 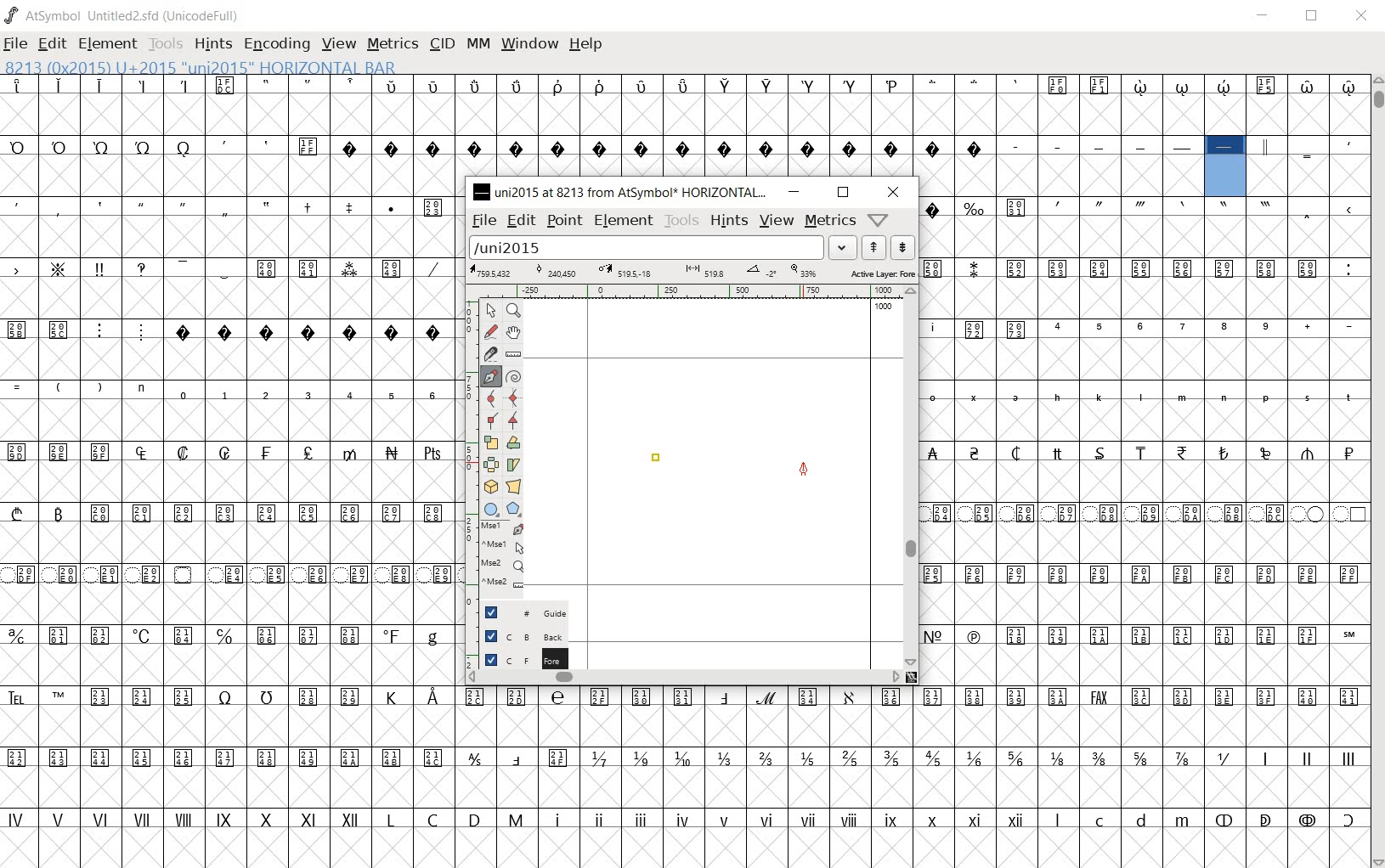 I want to click on HINTS, so click(x=215, y=44).